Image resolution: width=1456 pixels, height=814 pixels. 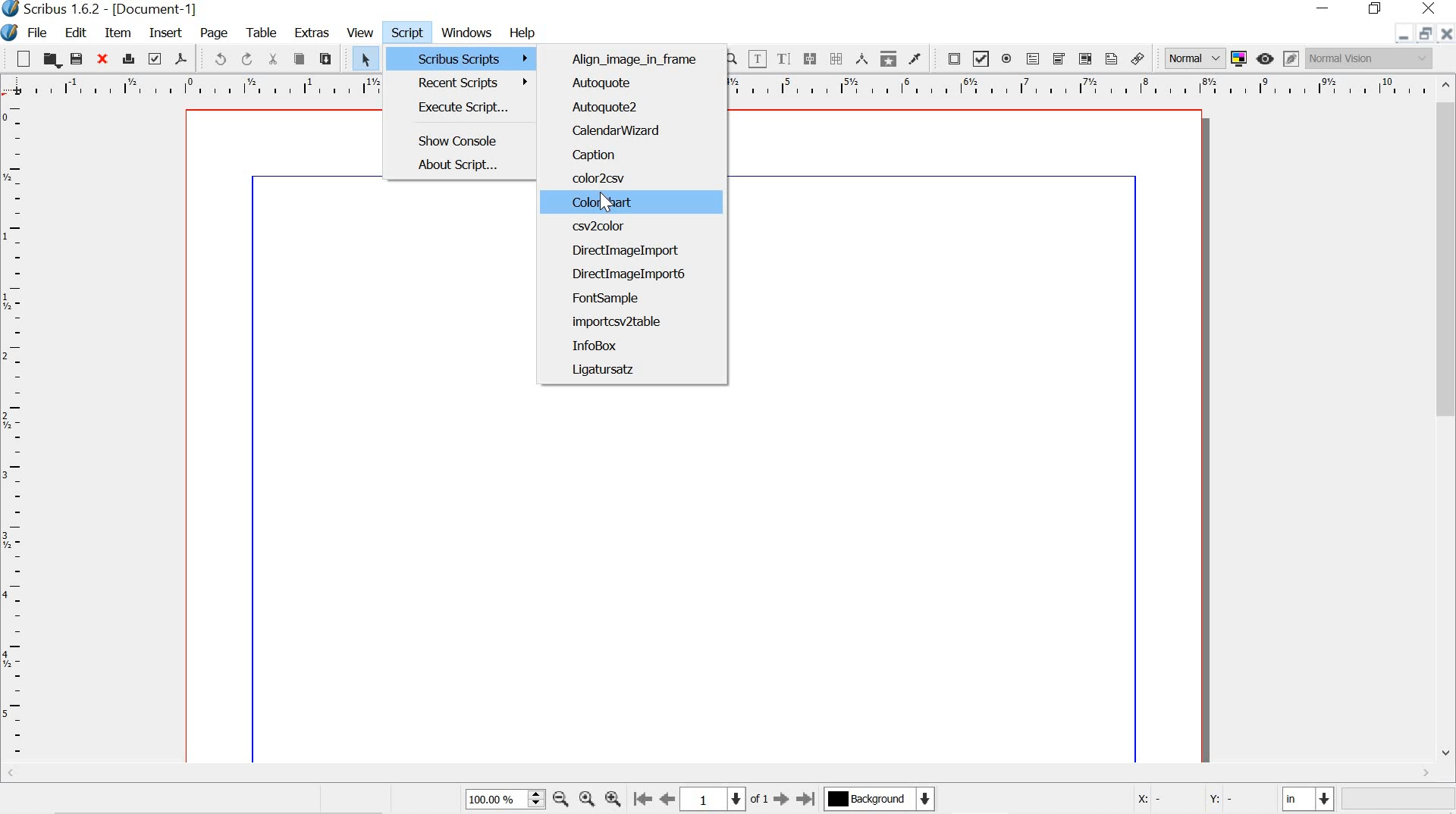 What do you see at coordinates (981, 60) in the screenshot?
I see `pdf check box` at bounding box center [981, 60].